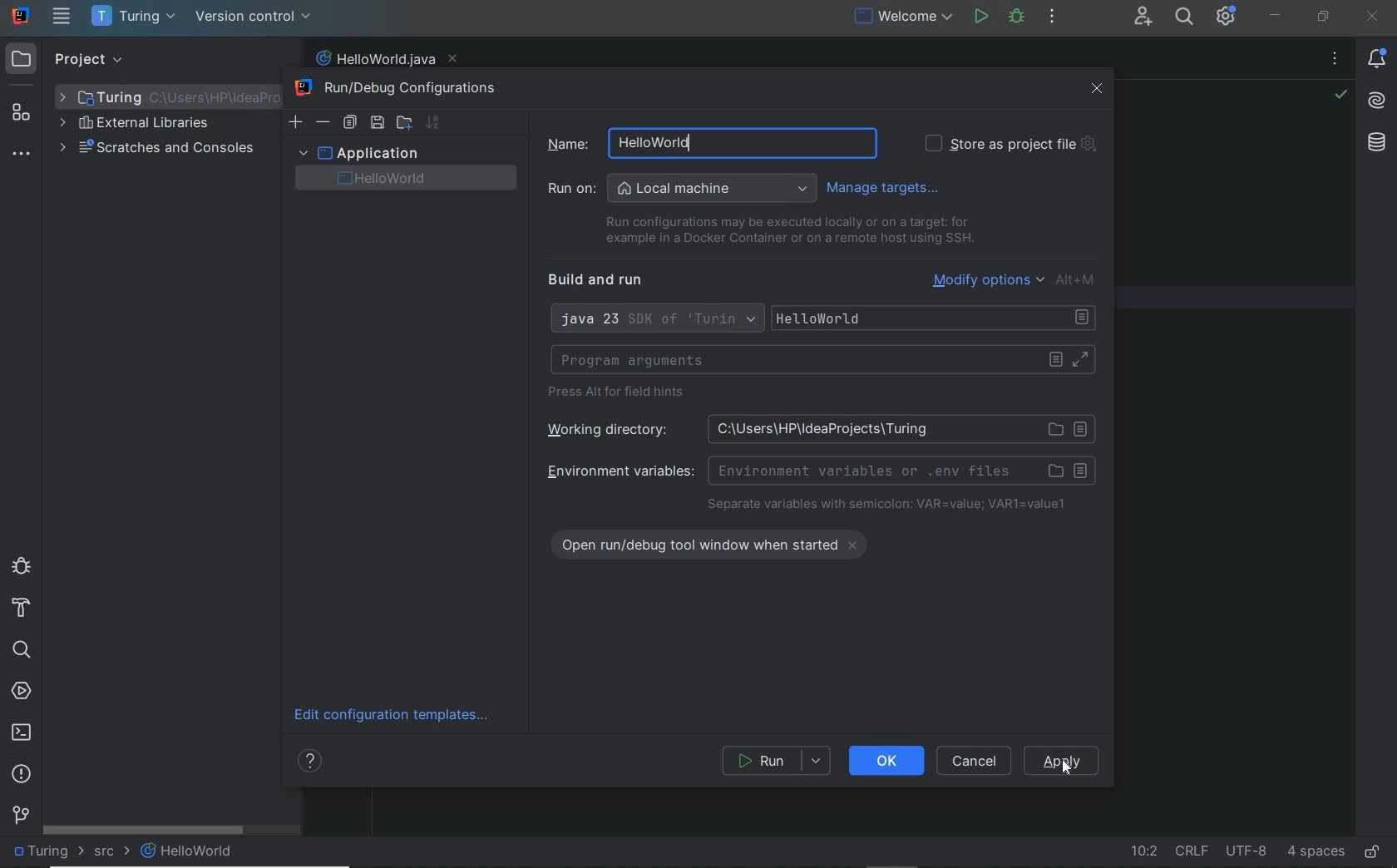 The height and width of the screenshot is (868, 1397). I want to click on indent, so click(1316, 852).